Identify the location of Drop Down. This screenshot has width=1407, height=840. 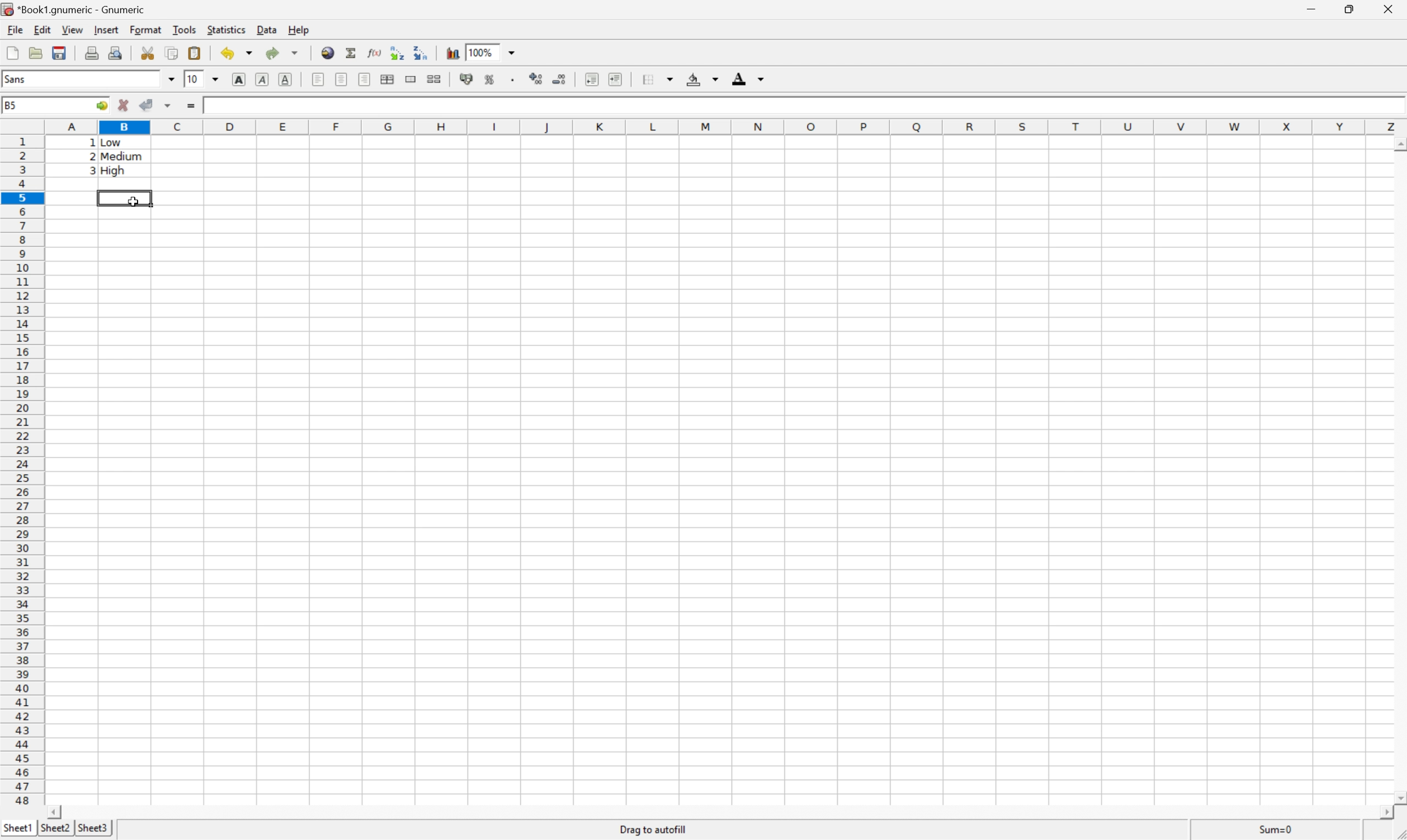
(171, 79).